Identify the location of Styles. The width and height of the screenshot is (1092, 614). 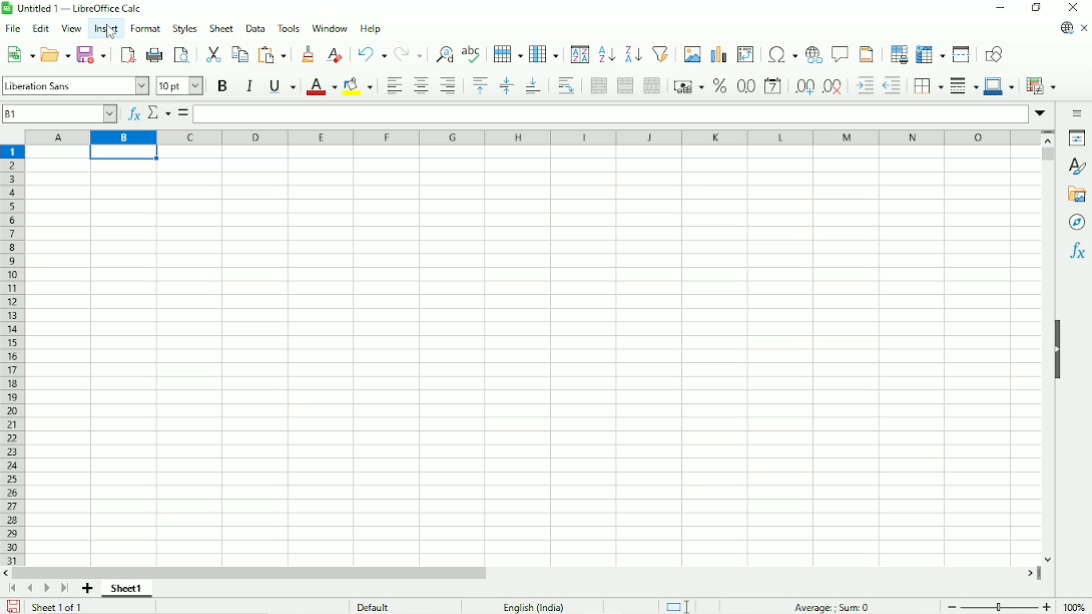
(1079, 165).